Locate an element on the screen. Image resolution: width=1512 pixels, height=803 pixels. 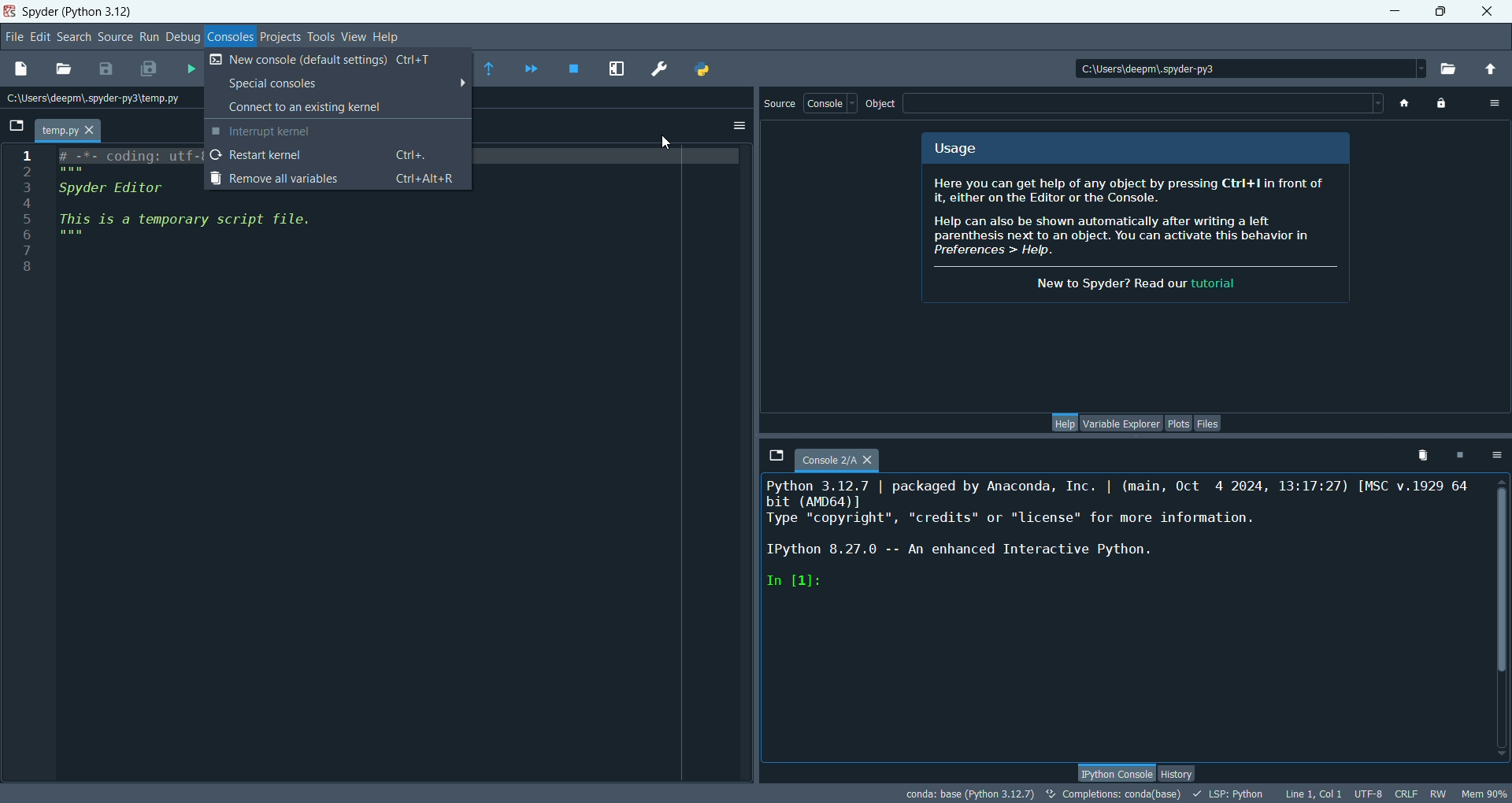
restart kernel is located at coordinates (335, 154).